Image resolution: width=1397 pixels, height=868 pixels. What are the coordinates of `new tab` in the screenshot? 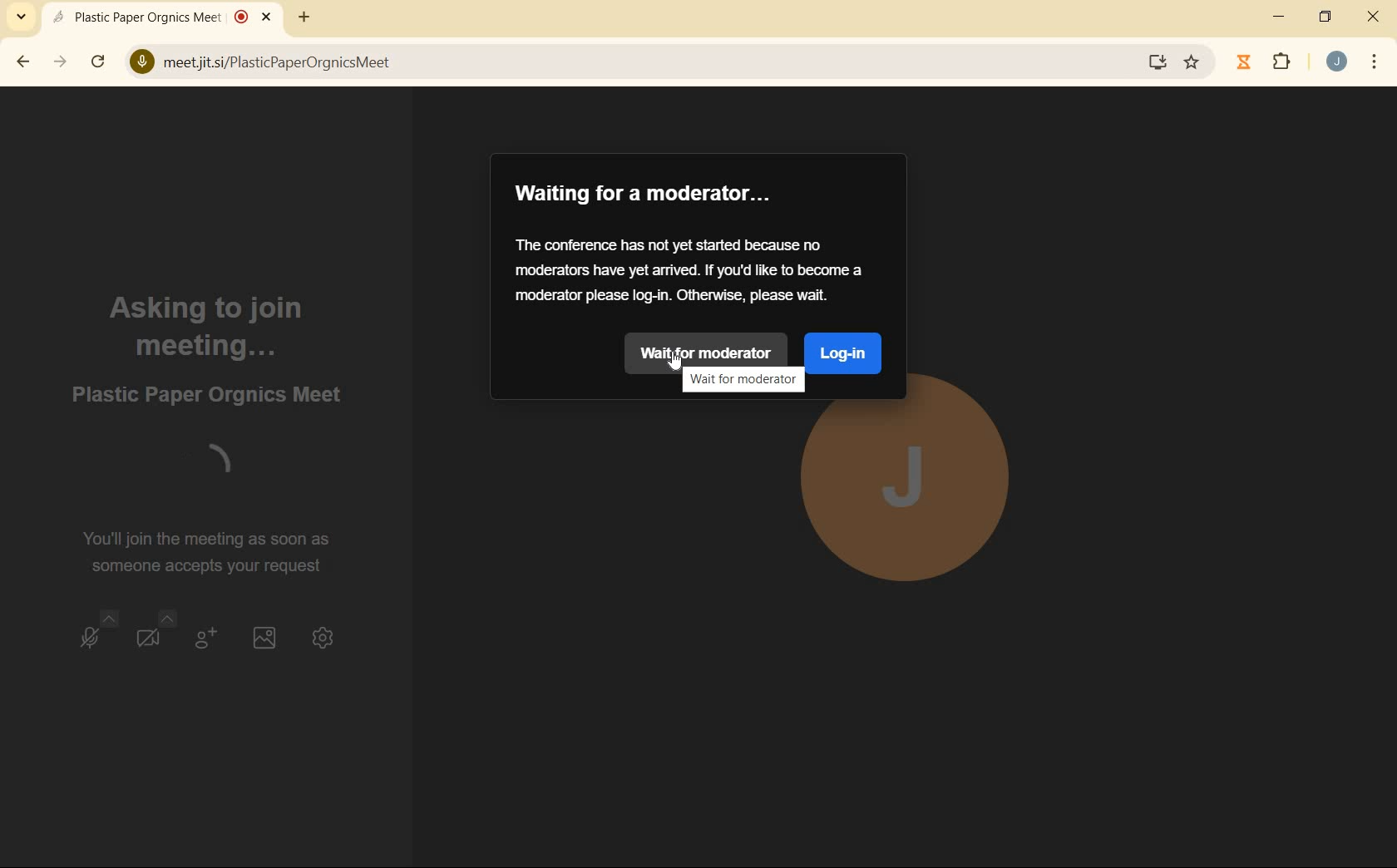 It's located at (301, 20).